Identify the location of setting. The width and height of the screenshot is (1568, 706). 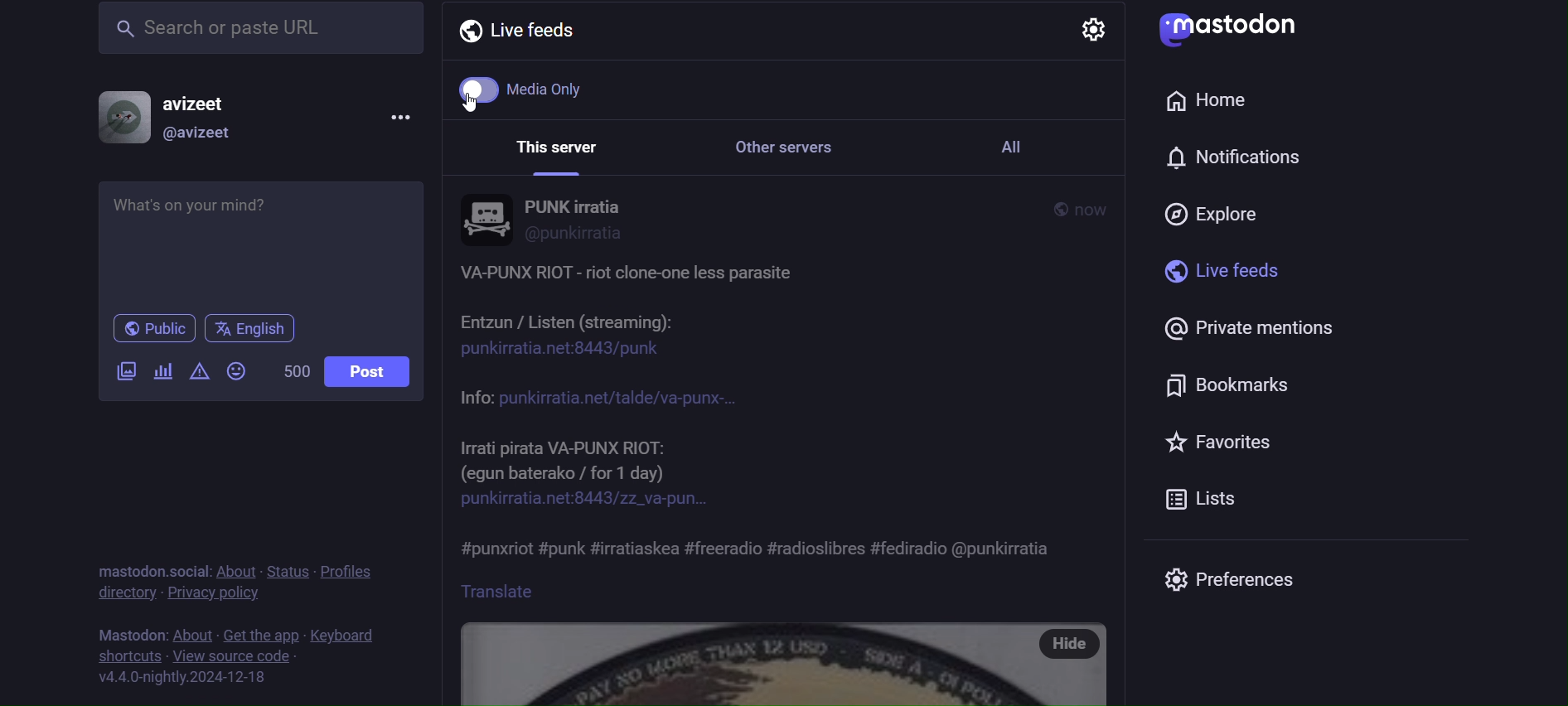
(1091, 31).